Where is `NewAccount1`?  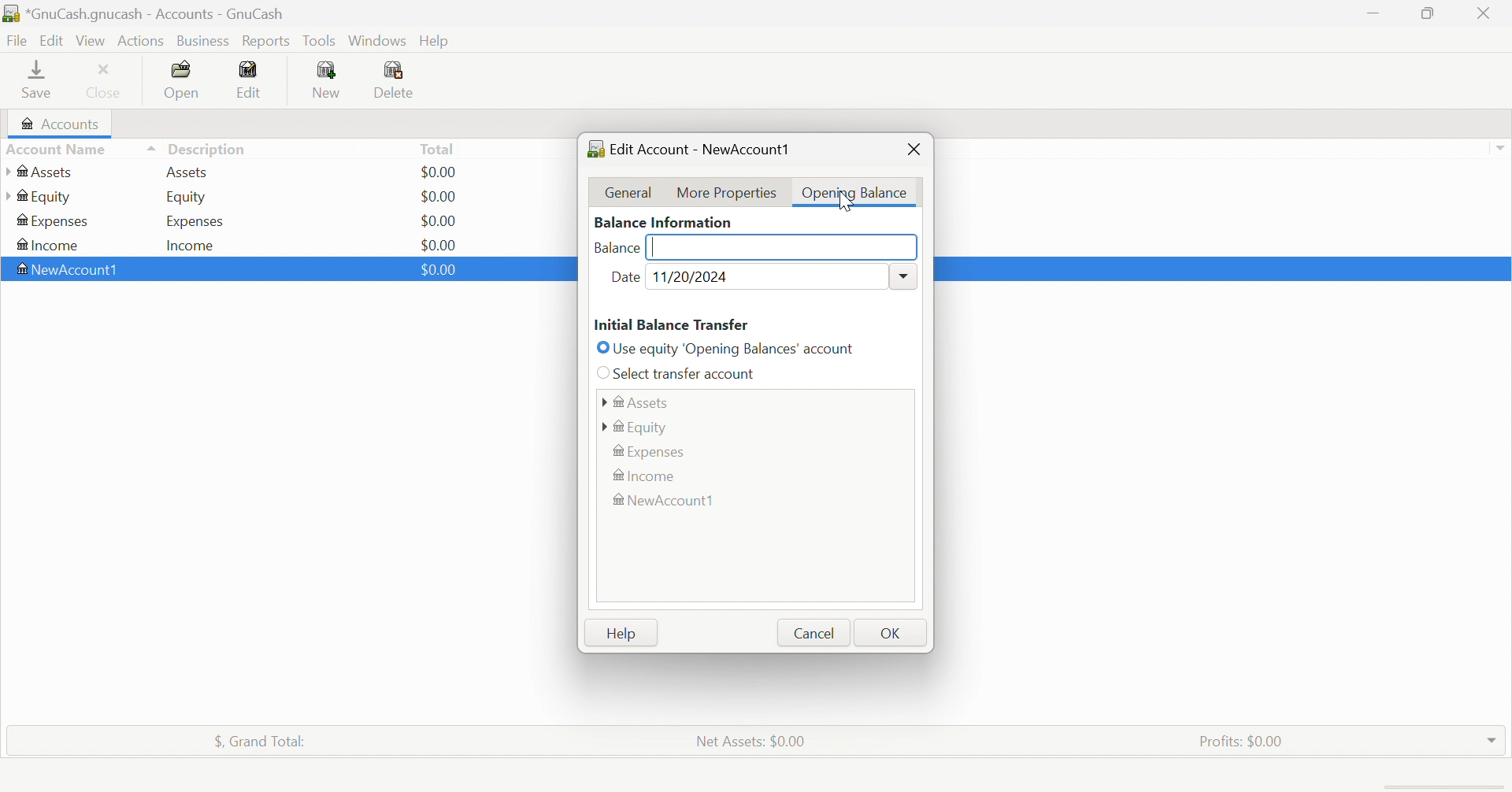 NewAccount1 is located at coordinates (669, 501).